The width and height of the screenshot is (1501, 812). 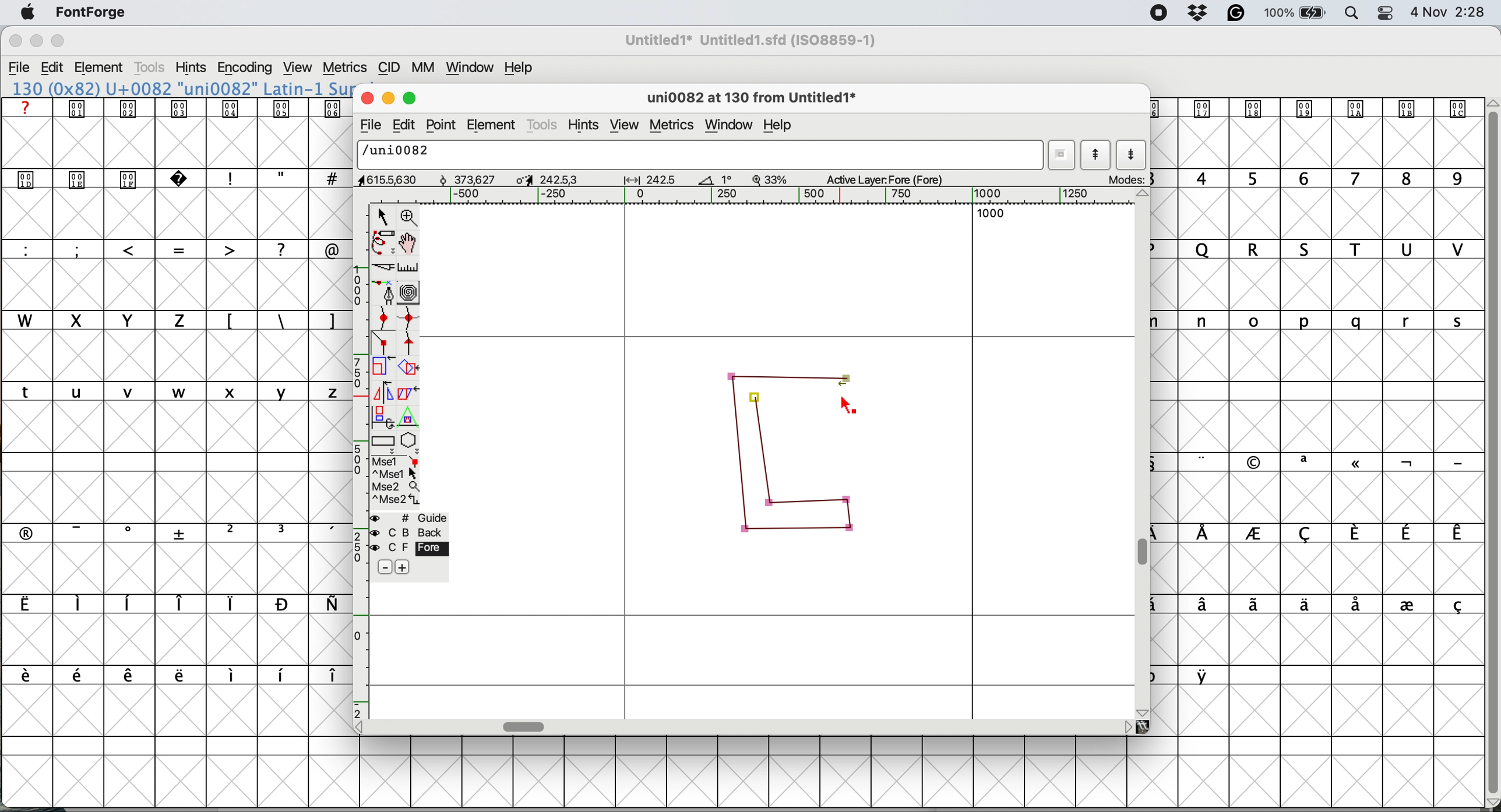 I want to click on encoding, so click(x=246, y=68).